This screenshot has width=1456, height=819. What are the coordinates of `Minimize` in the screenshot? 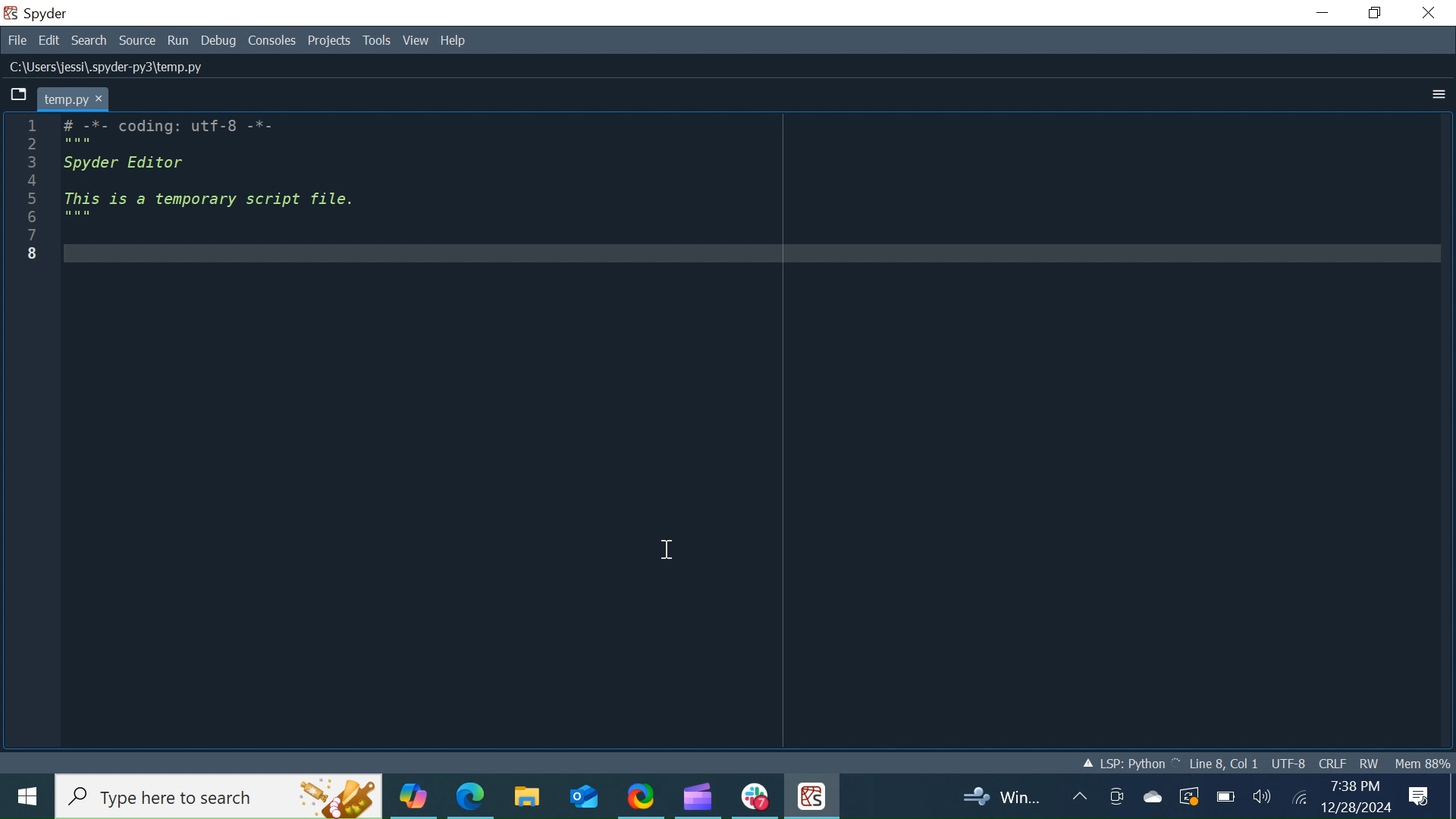 It's located at (1319, 13).